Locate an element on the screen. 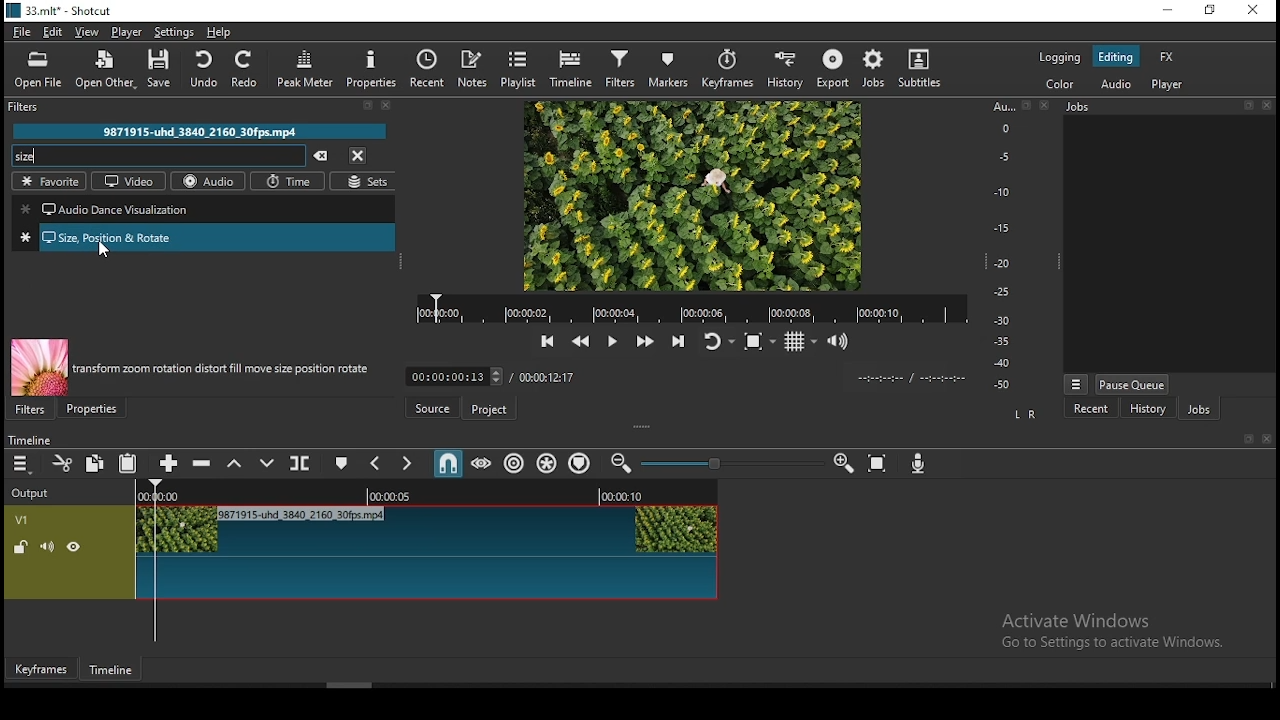 The width and height of the screenshot is (1280, 720). save is located at coordinates (157, 72).